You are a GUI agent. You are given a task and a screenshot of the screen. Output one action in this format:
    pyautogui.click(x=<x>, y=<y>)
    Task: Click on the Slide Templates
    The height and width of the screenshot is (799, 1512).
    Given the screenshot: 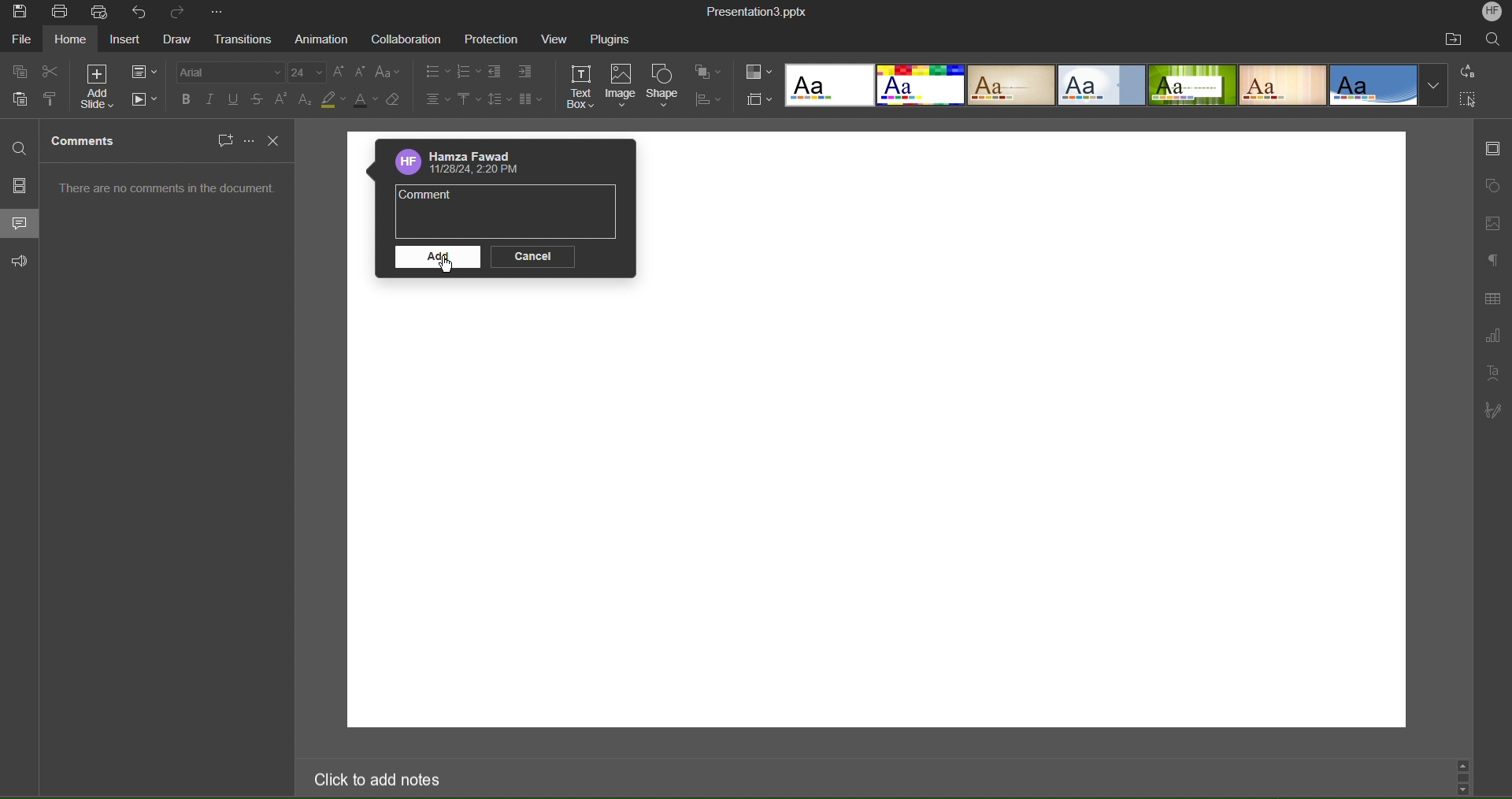 What is the action you would take?
    pyautogui.click(x=1116, y=87)
    